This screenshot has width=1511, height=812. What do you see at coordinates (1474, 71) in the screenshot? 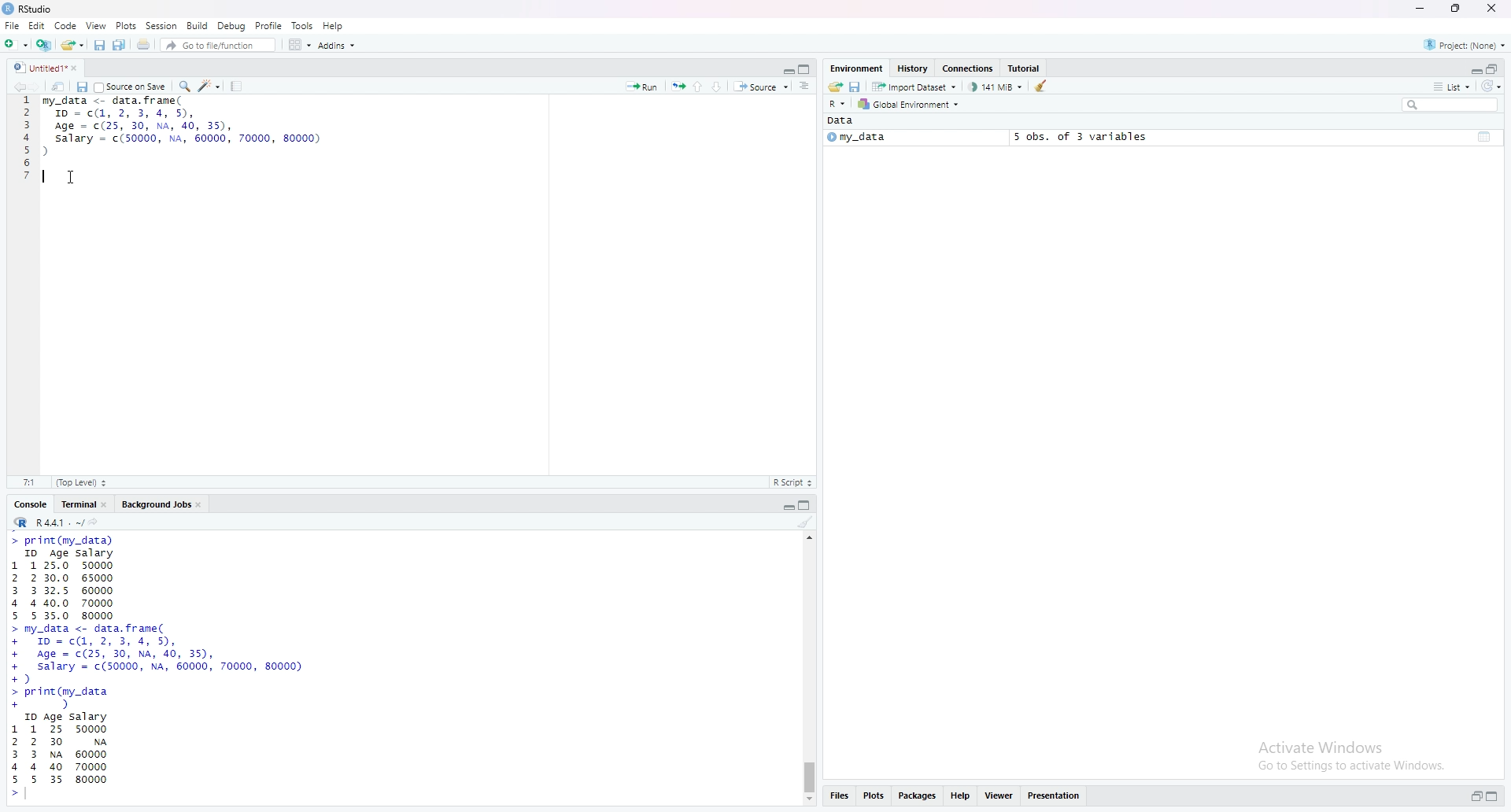
I see `expand` at bounding box center [1474, 71].